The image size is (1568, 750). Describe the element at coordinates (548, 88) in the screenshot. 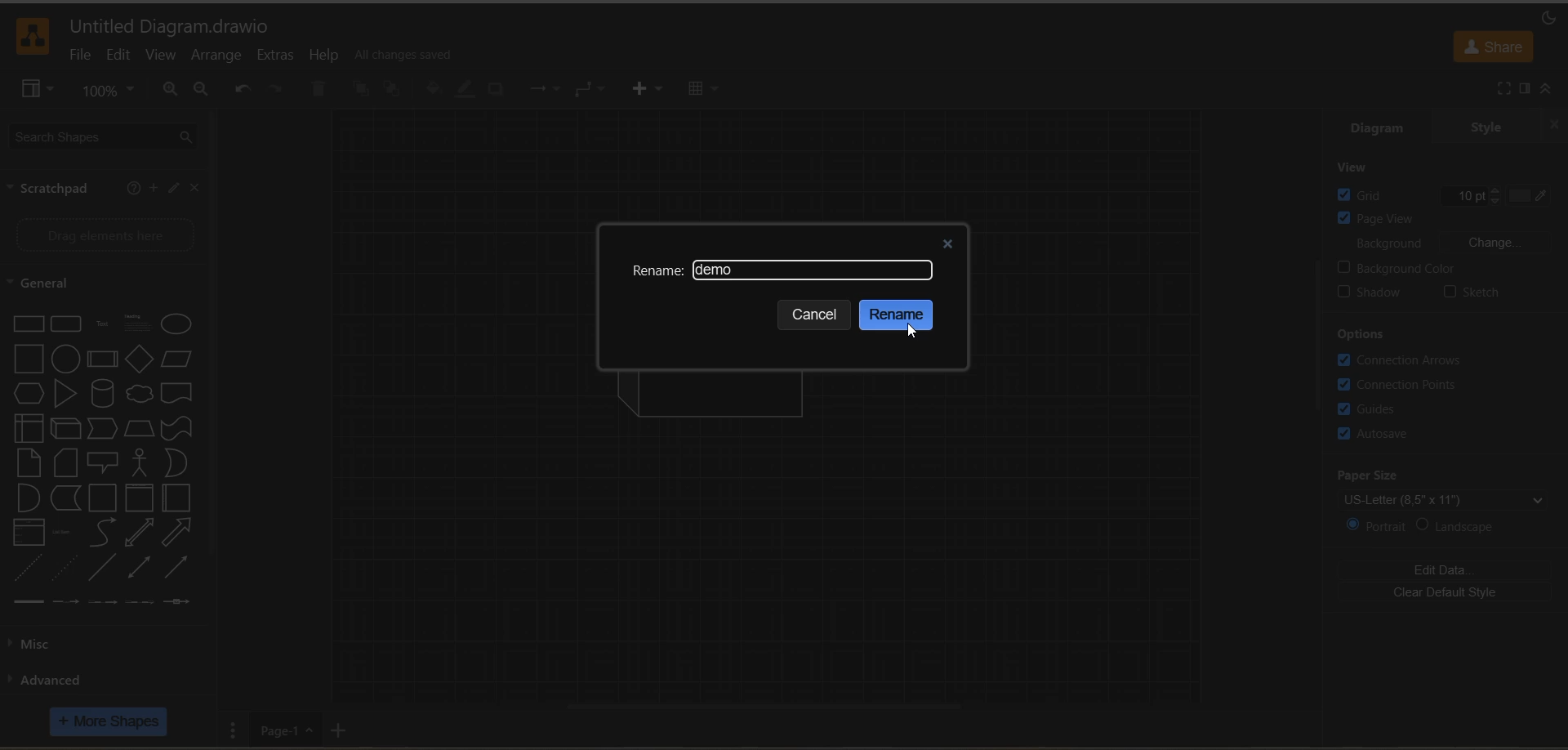

I see `connections` at that location.